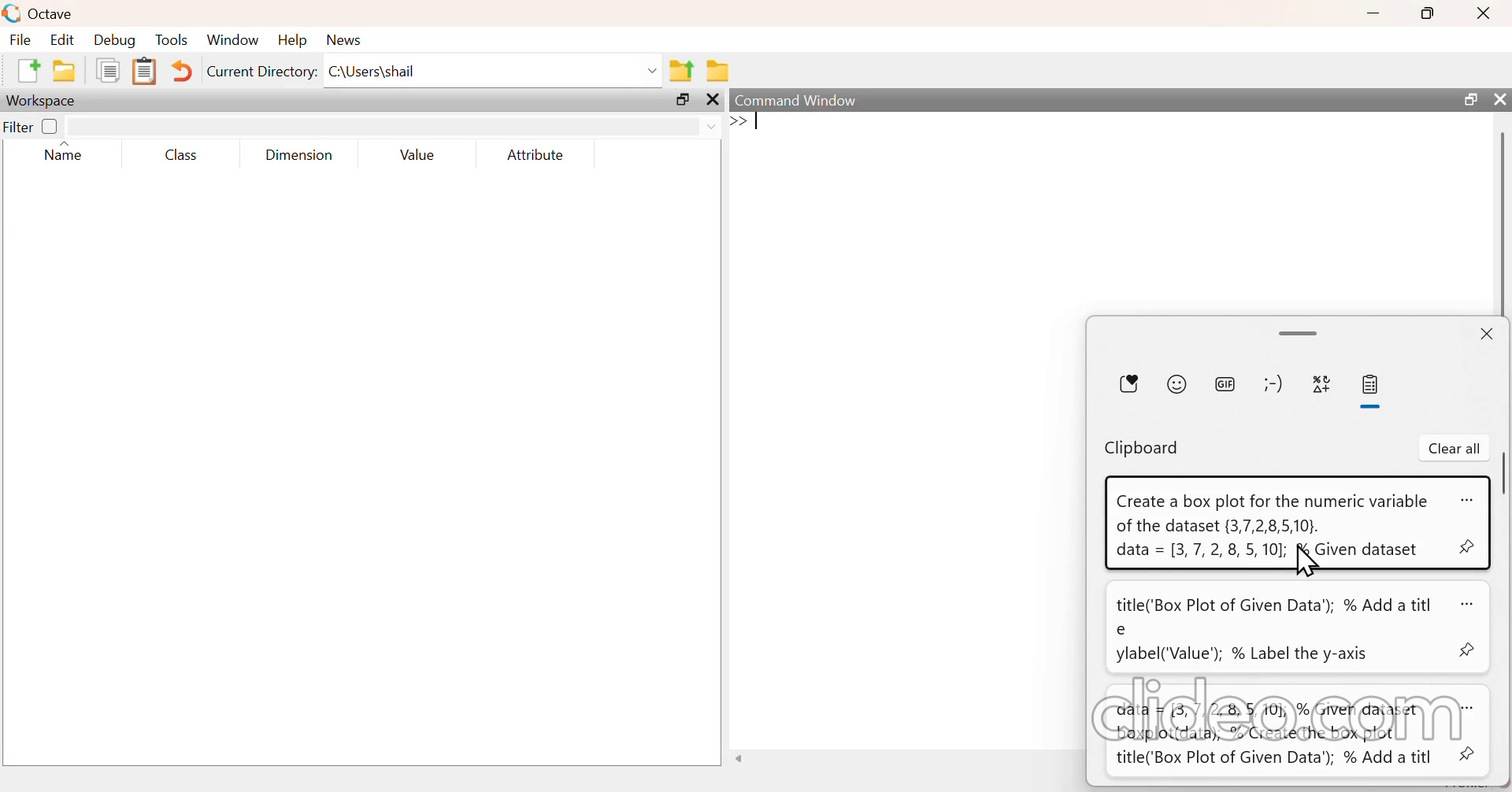 The image size is (1512, 792). I want to click on cursor, so click(1311, 562).